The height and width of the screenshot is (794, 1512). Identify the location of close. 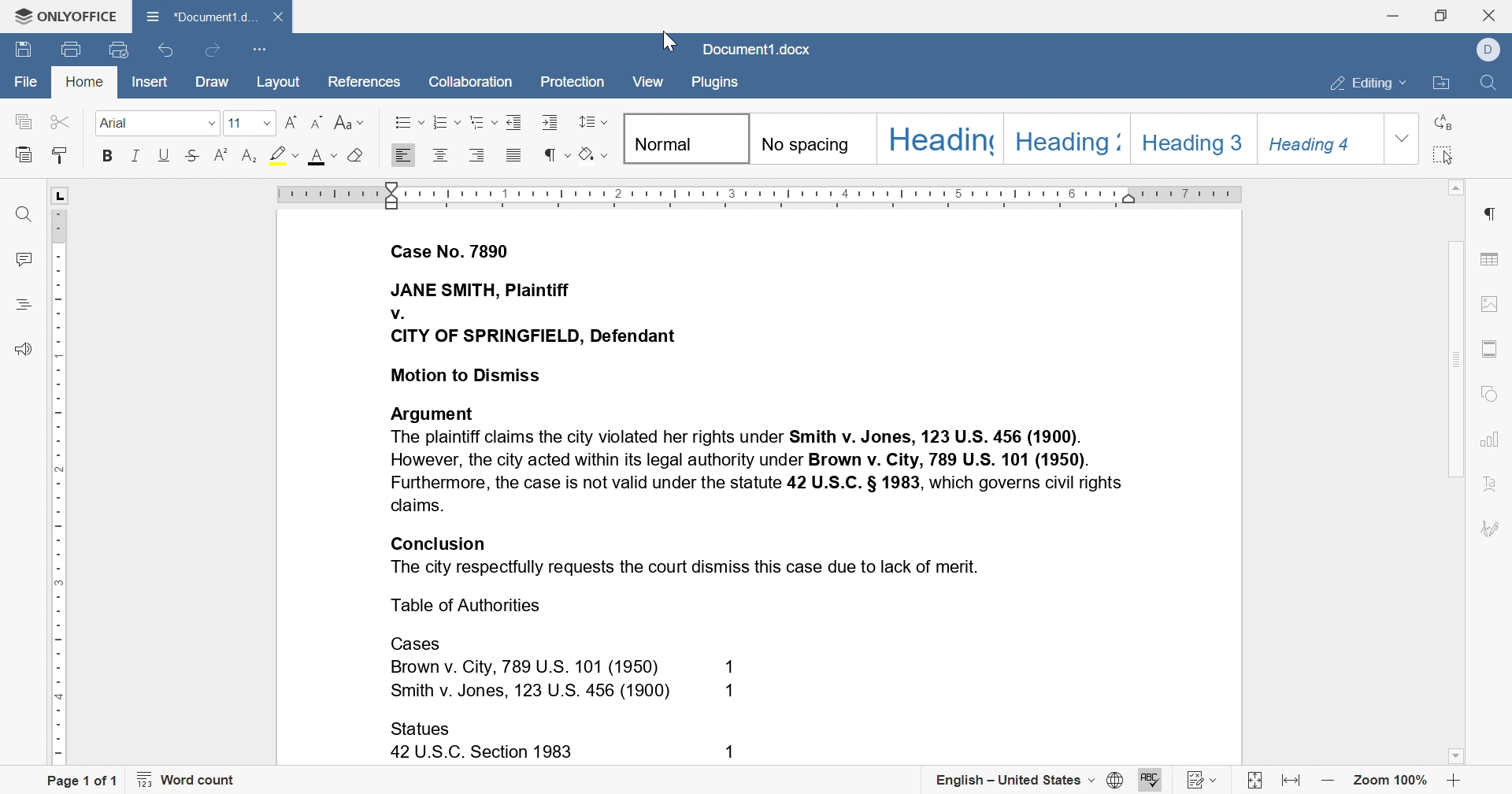
(280, 17).